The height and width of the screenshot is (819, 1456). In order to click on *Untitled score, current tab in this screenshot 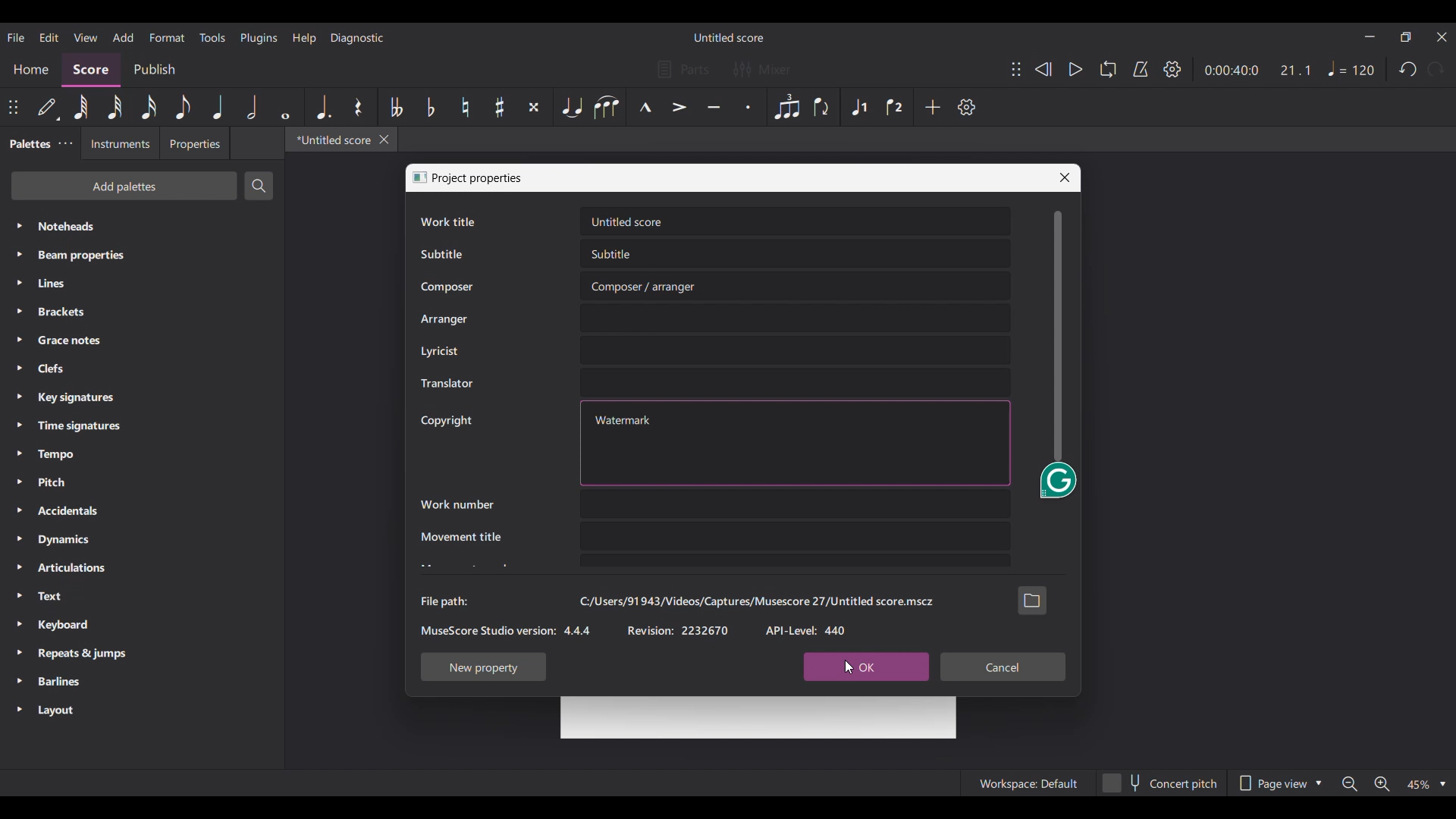, I will do `click(331, 140)`.